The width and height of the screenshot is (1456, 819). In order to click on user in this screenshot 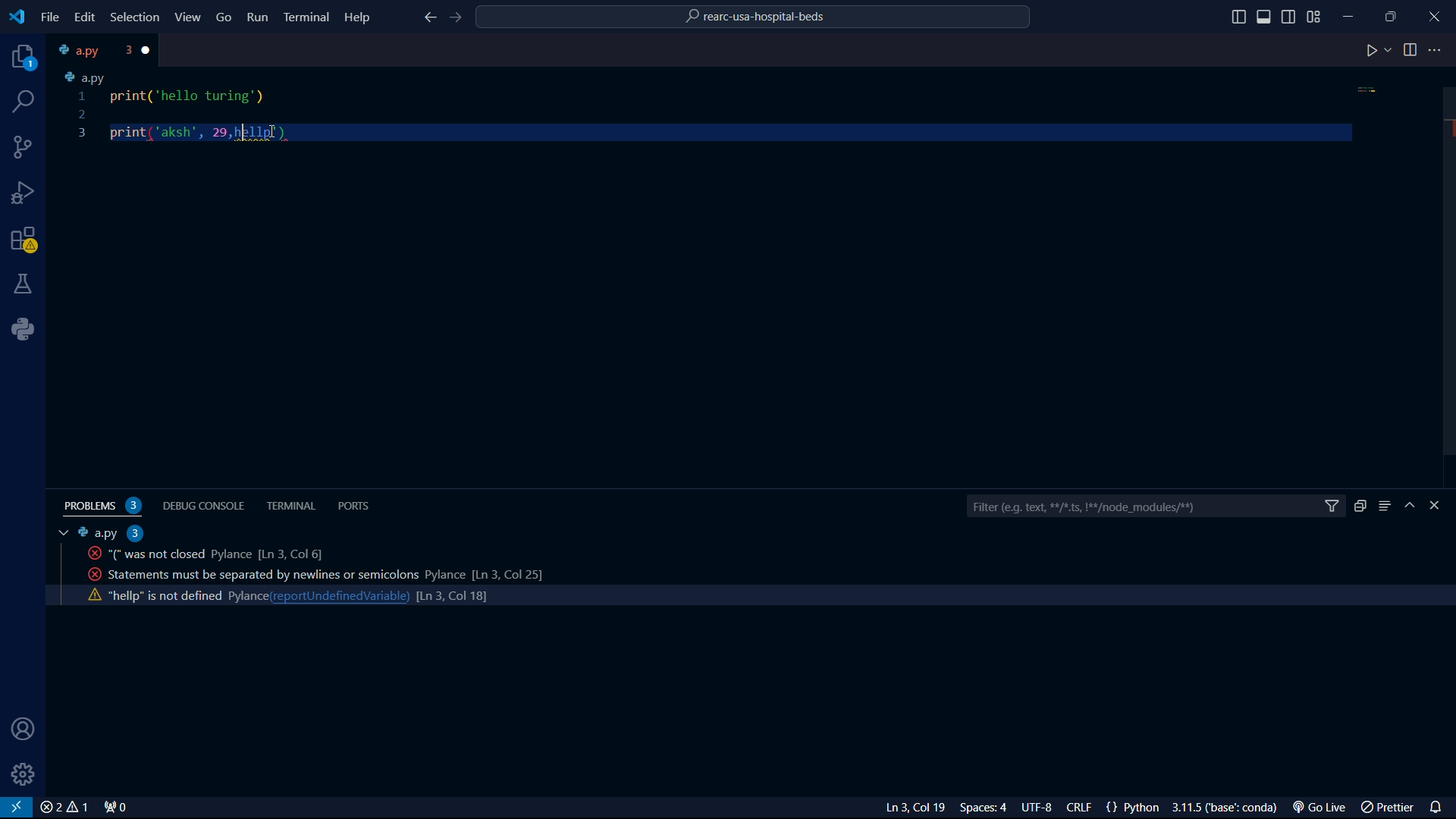, I will do `click(19, 730)`.